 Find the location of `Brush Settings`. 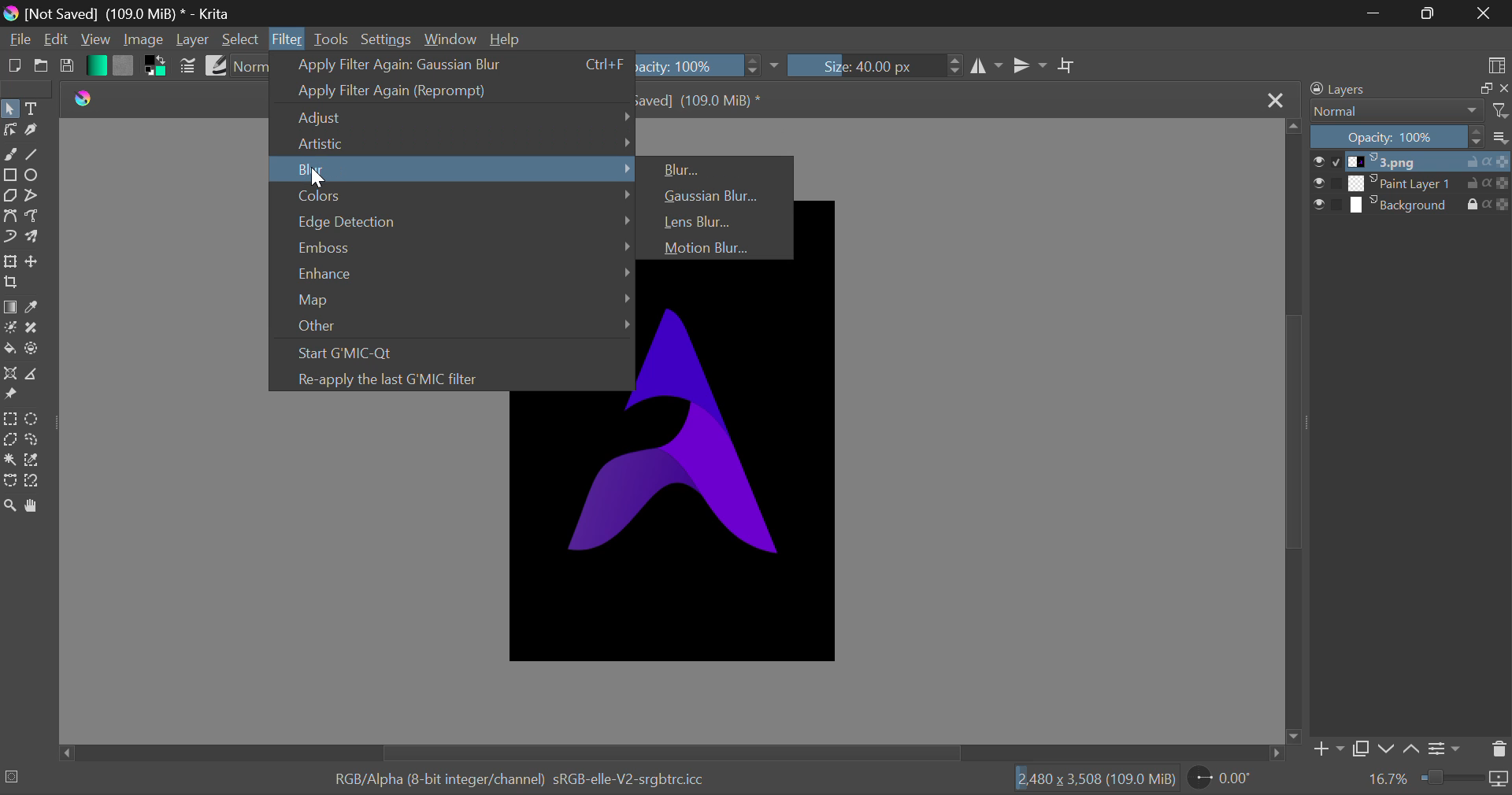

Brush Settings is located at coordinates (189, 66).